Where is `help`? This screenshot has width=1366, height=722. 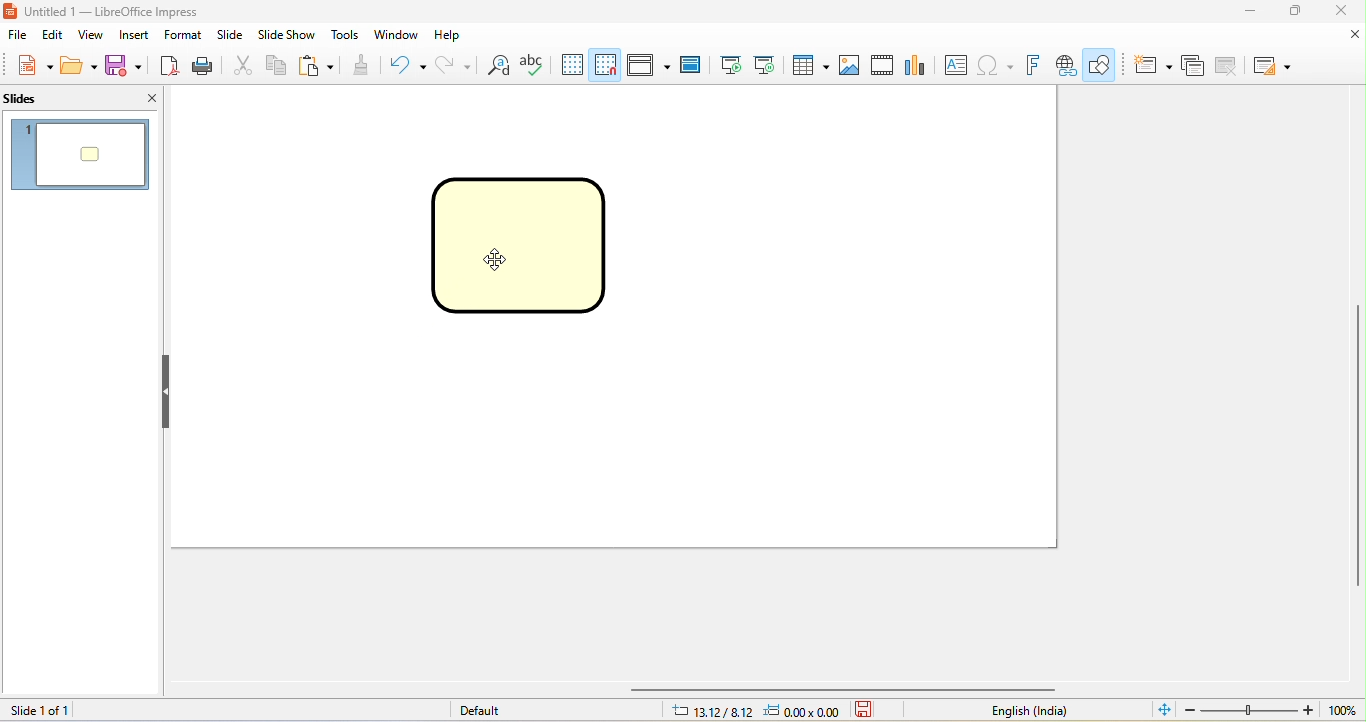
help is located at coordinates (452, 37).